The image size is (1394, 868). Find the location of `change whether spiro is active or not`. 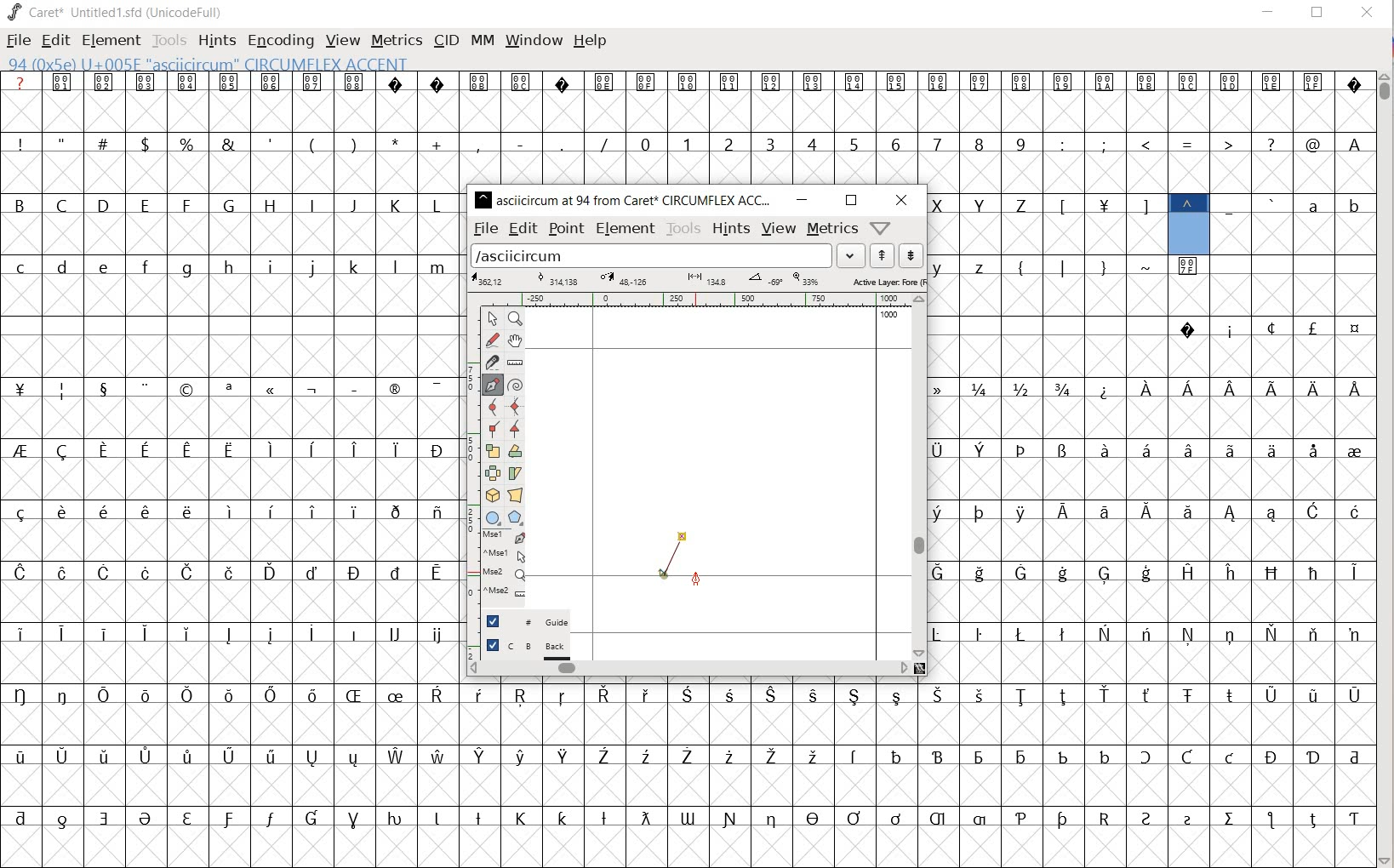

change whether spiro is active or not is located at coordinates (517, 385).